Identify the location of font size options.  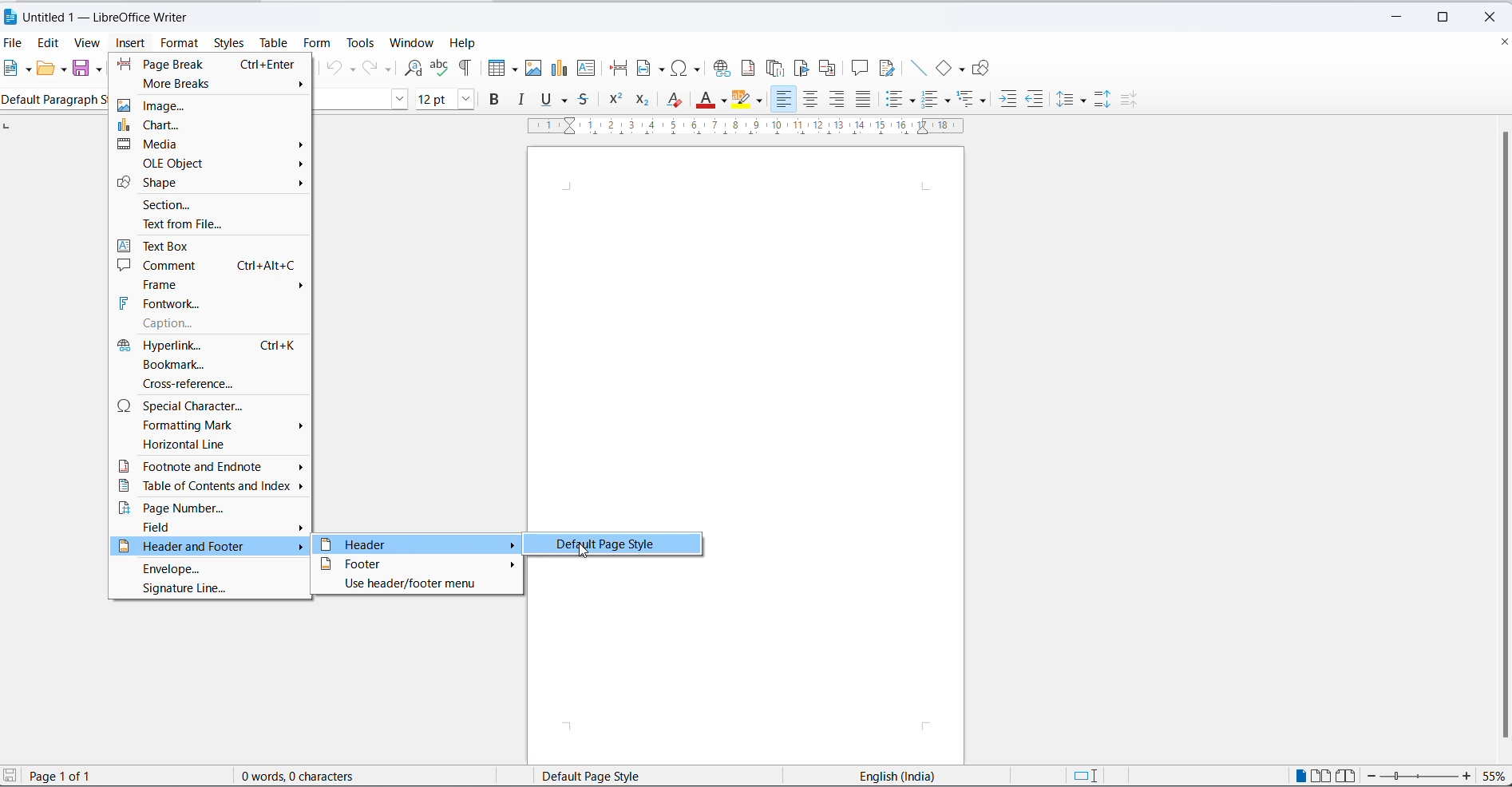
(463, 100).